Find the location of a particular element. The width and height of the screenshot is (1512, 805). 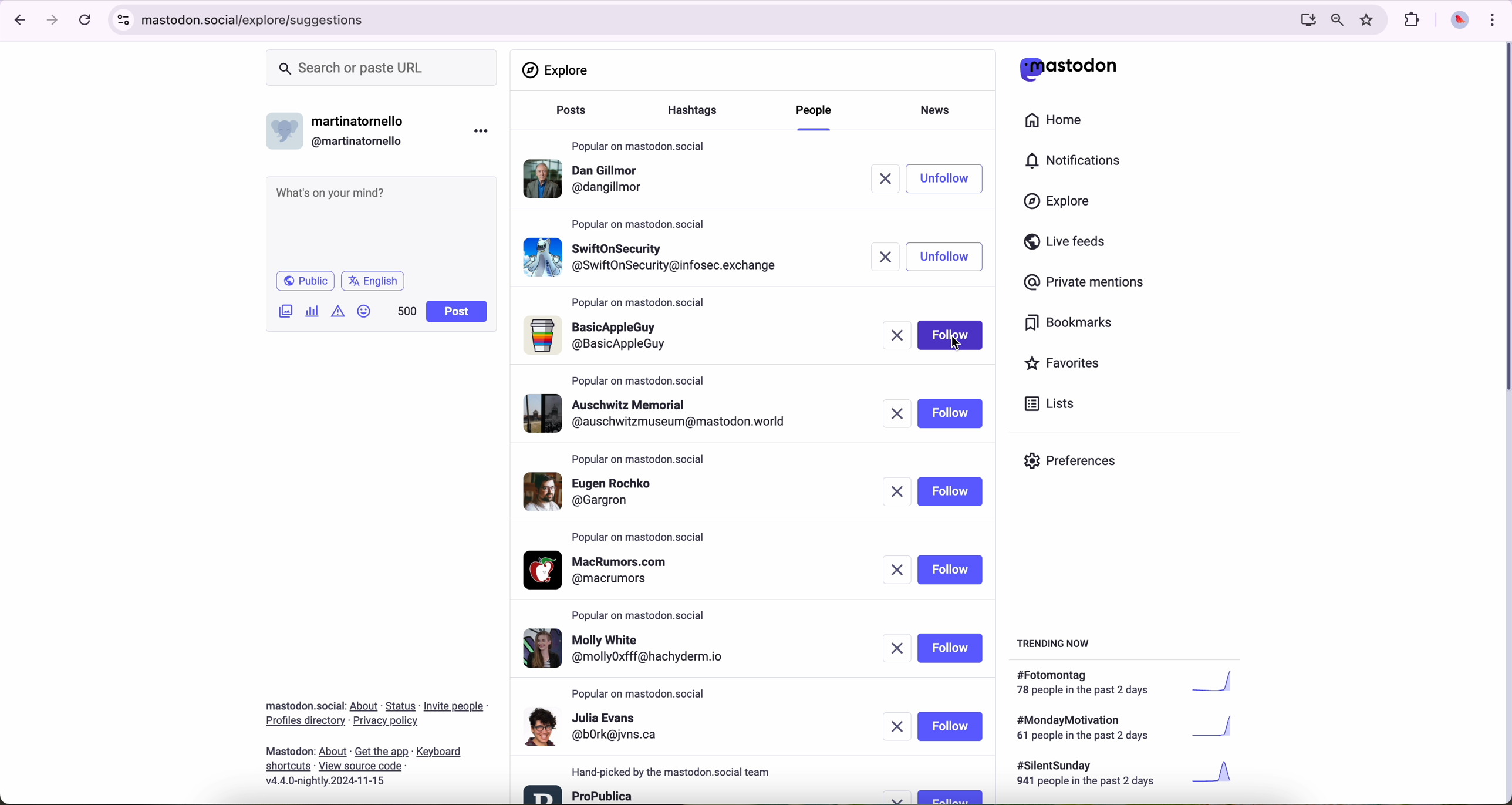

popular on mastodon.social is located at coordinates (640, 694).